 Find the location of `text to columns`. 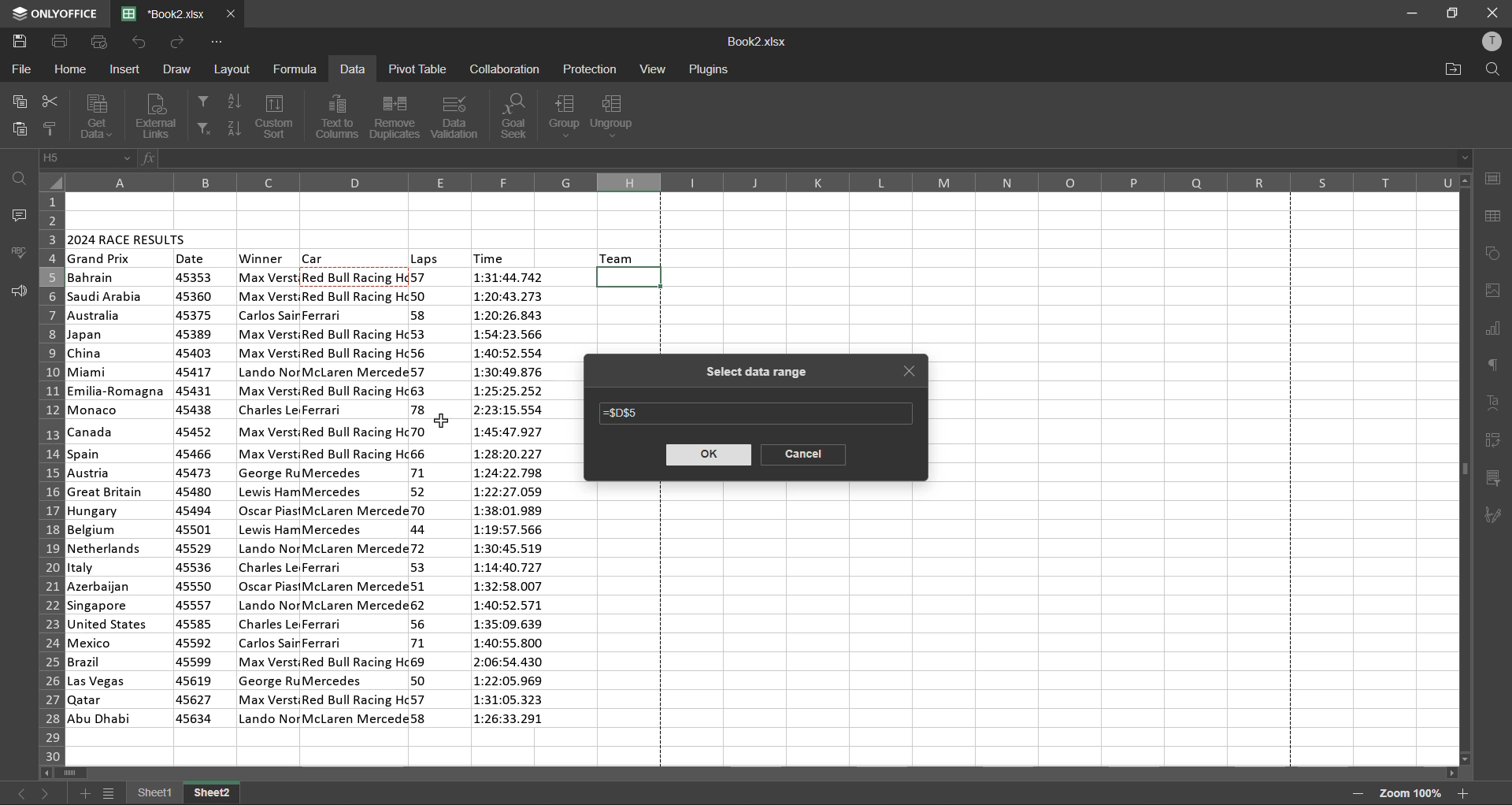

text to columns is located at coordinates (338, 117).